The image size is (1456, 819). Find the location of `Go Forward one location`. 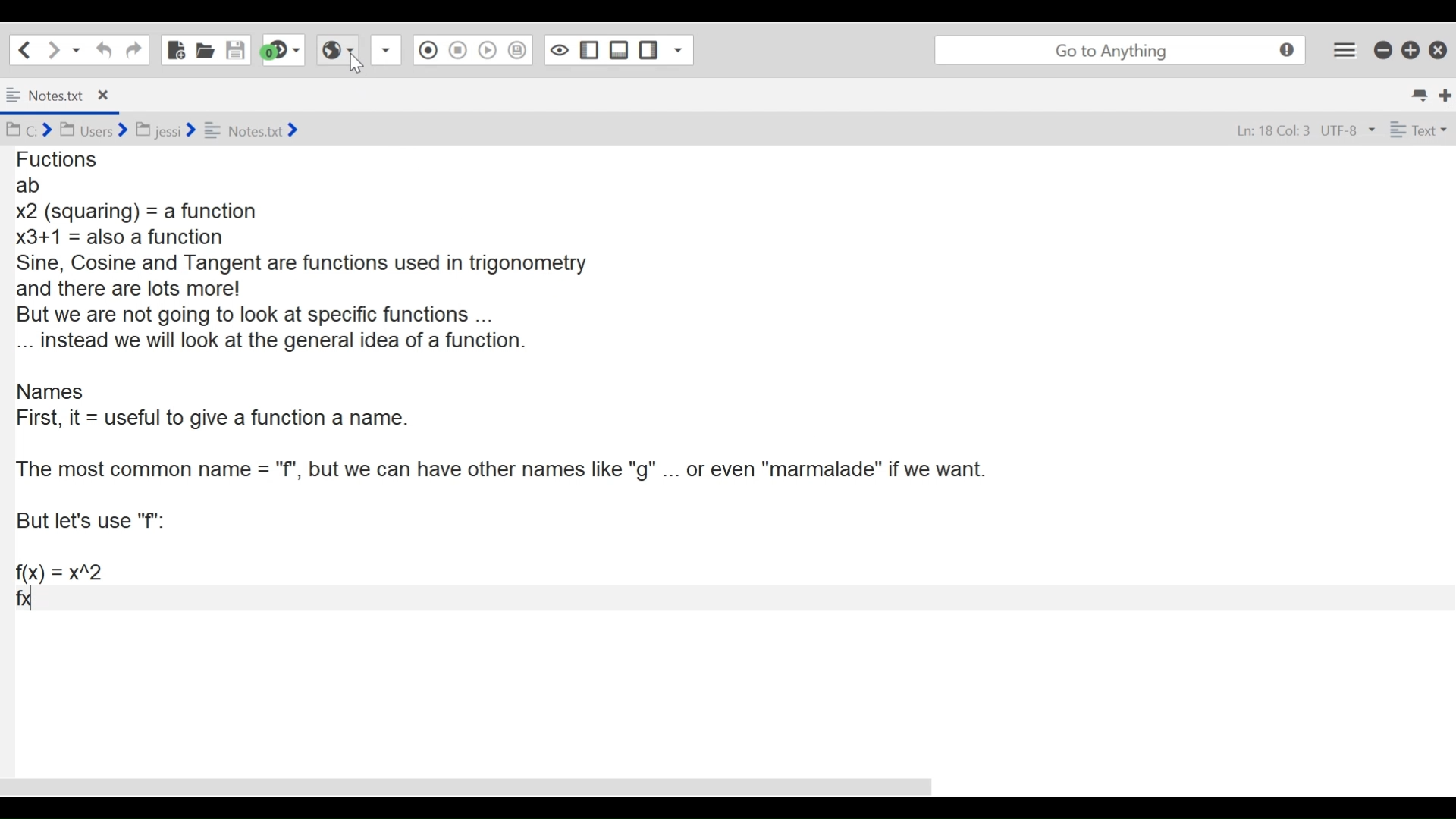

Go Forward one location is located at coordinates (54, 49).